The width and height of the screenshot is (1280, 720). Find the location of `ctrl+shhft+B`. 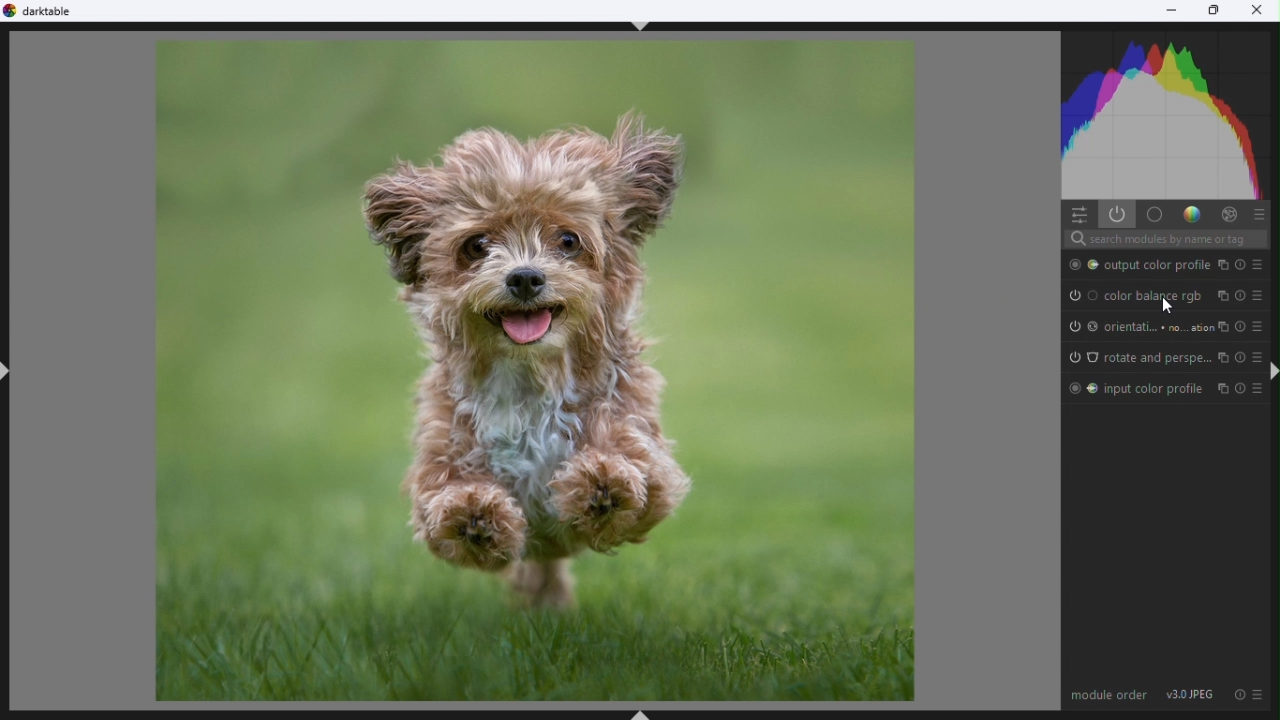

ctrl+shhft+B is located at coordinates (644, 713).